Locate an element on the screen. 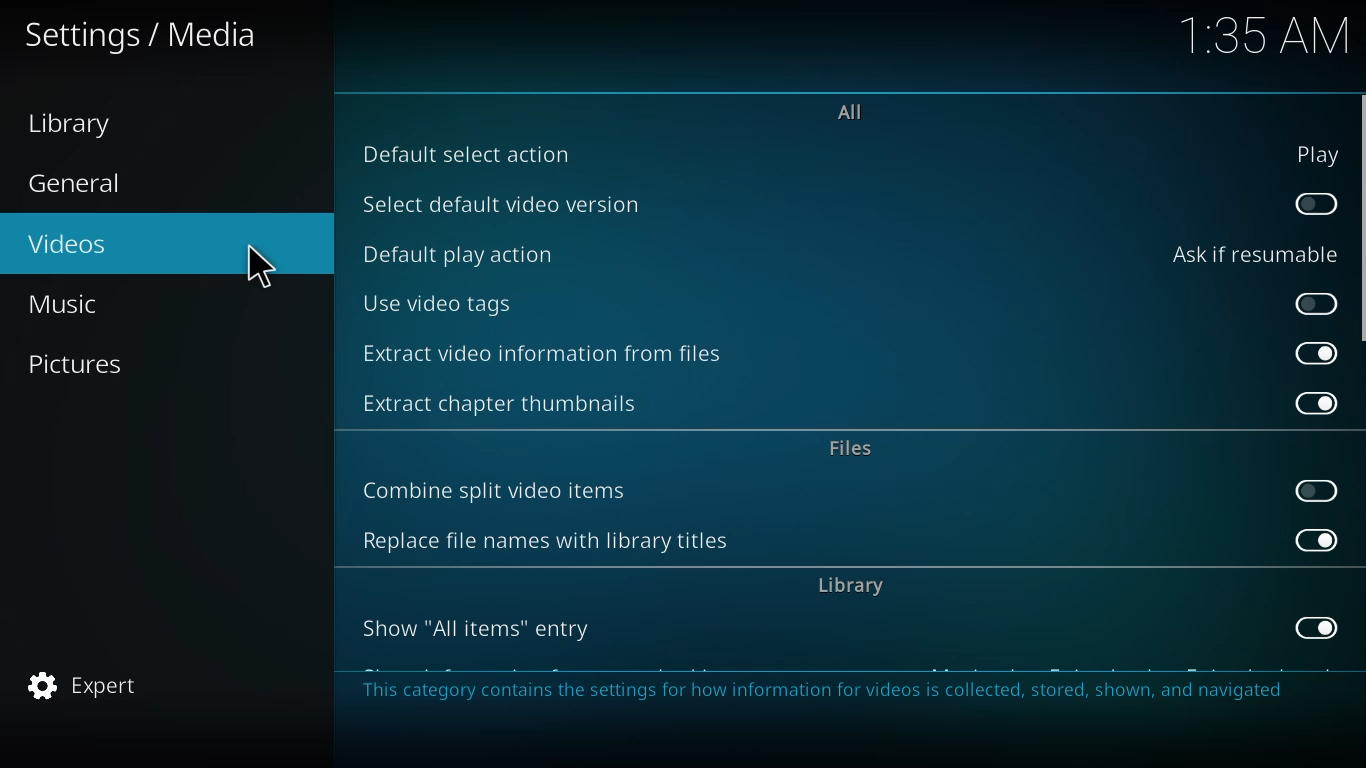 The height and width of the screenshot is (768, 1366). extract video info is located at coordinates (549, 354).